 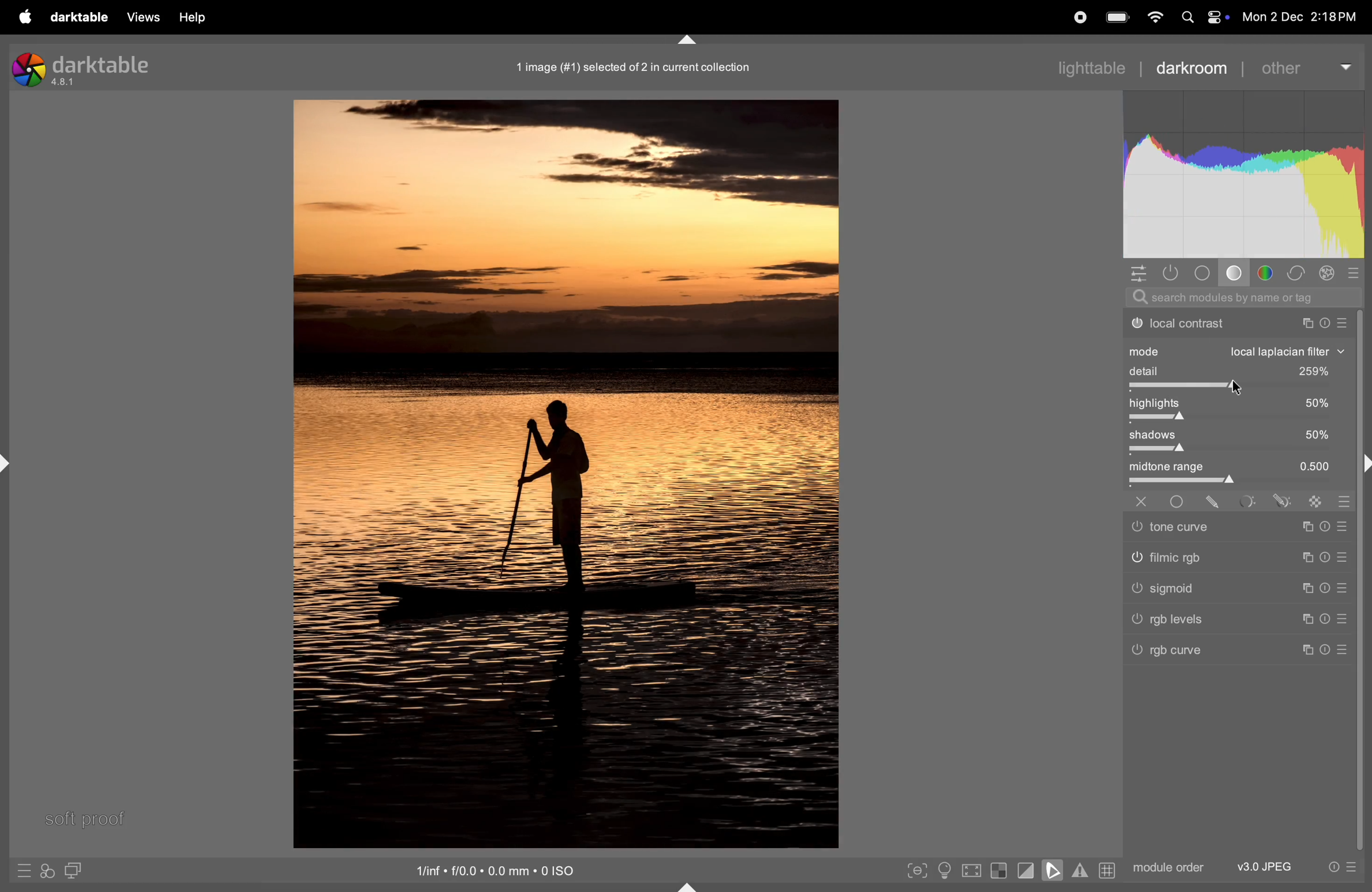 I want to click on sign , so click(x=1344, y=587).